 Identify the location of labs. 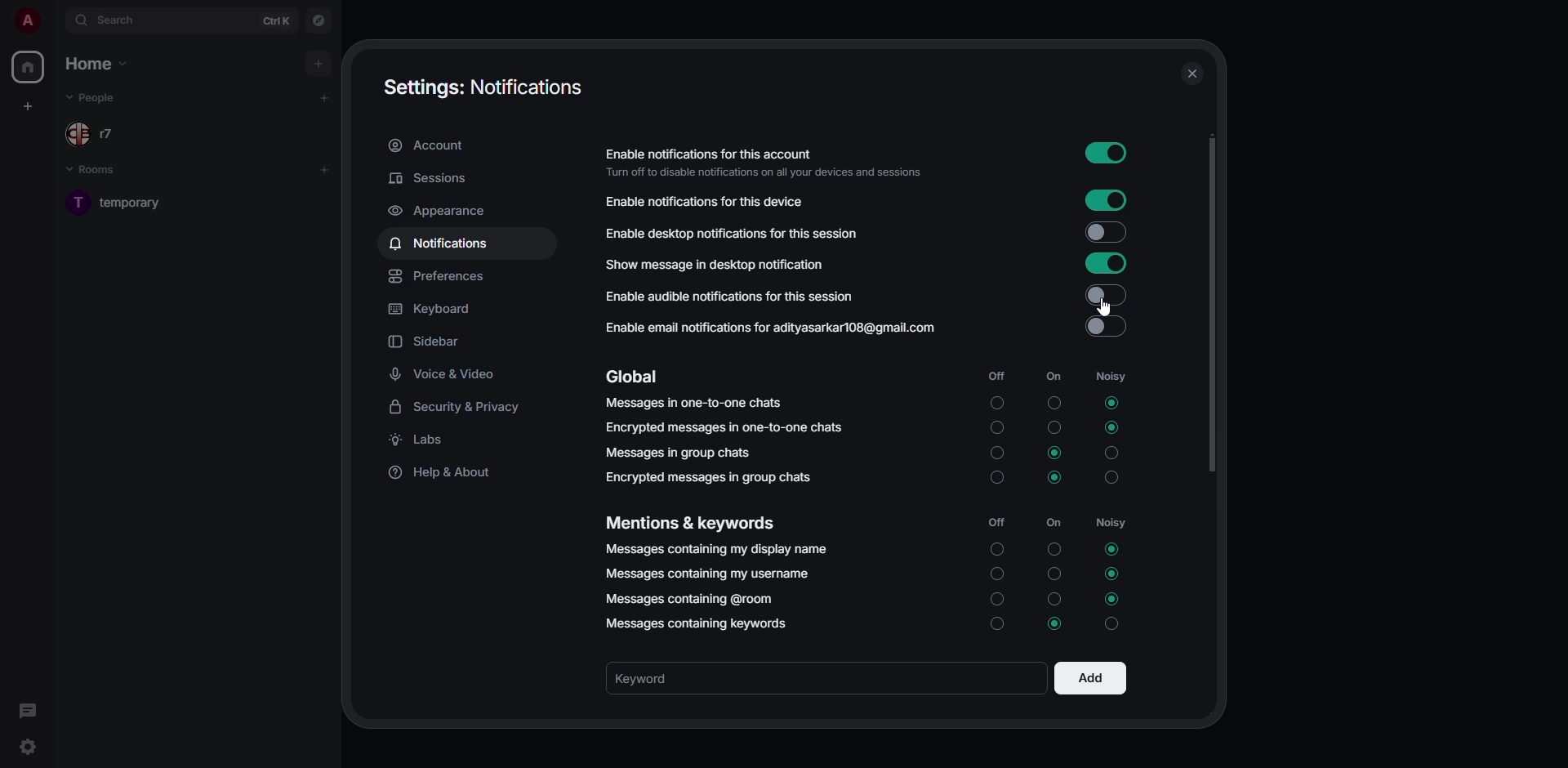
(423, 439).